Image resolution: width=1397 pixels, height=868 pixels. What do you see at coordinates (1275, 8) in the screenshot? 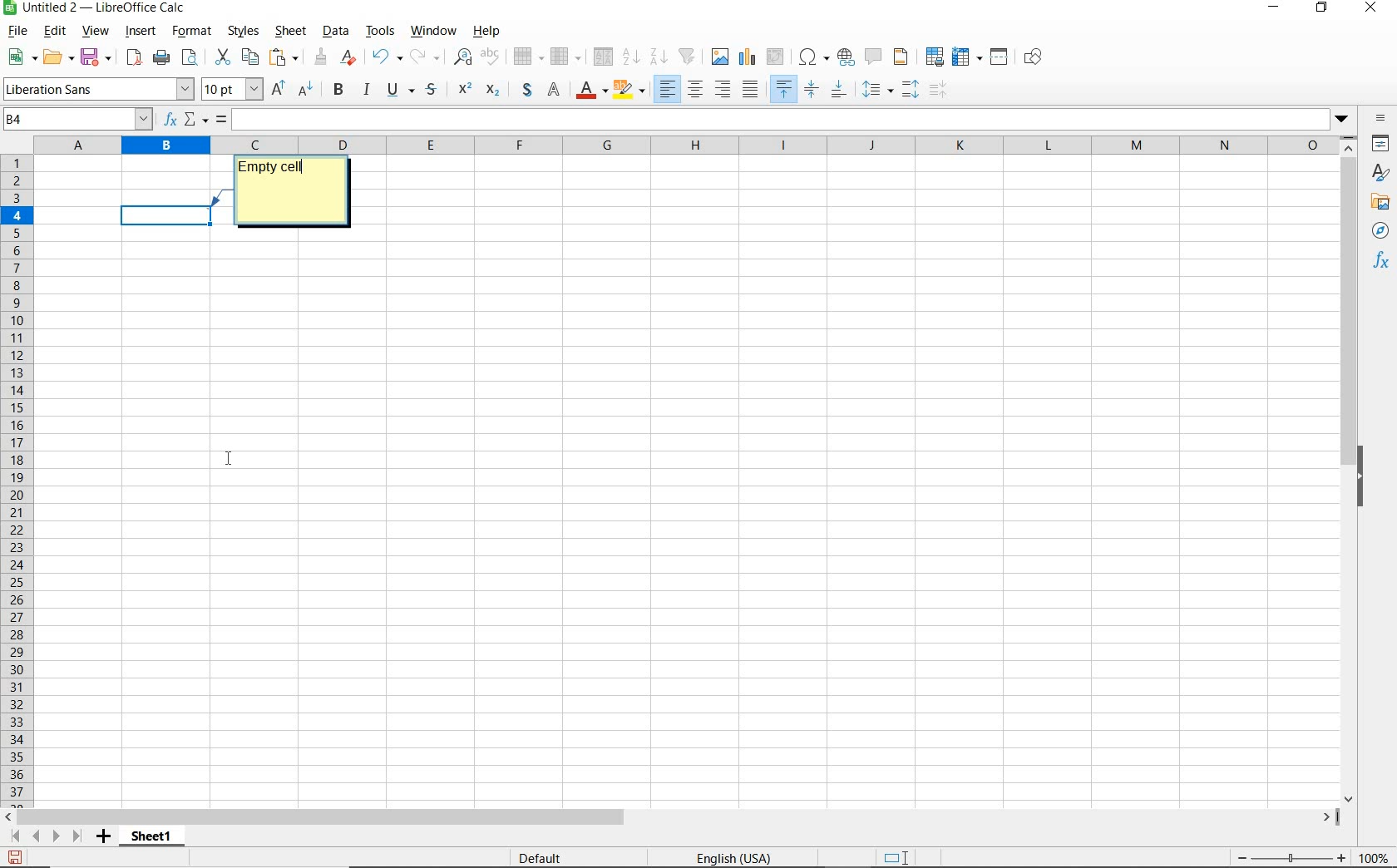
I see `minimize` at bounding box center [1275, 8].